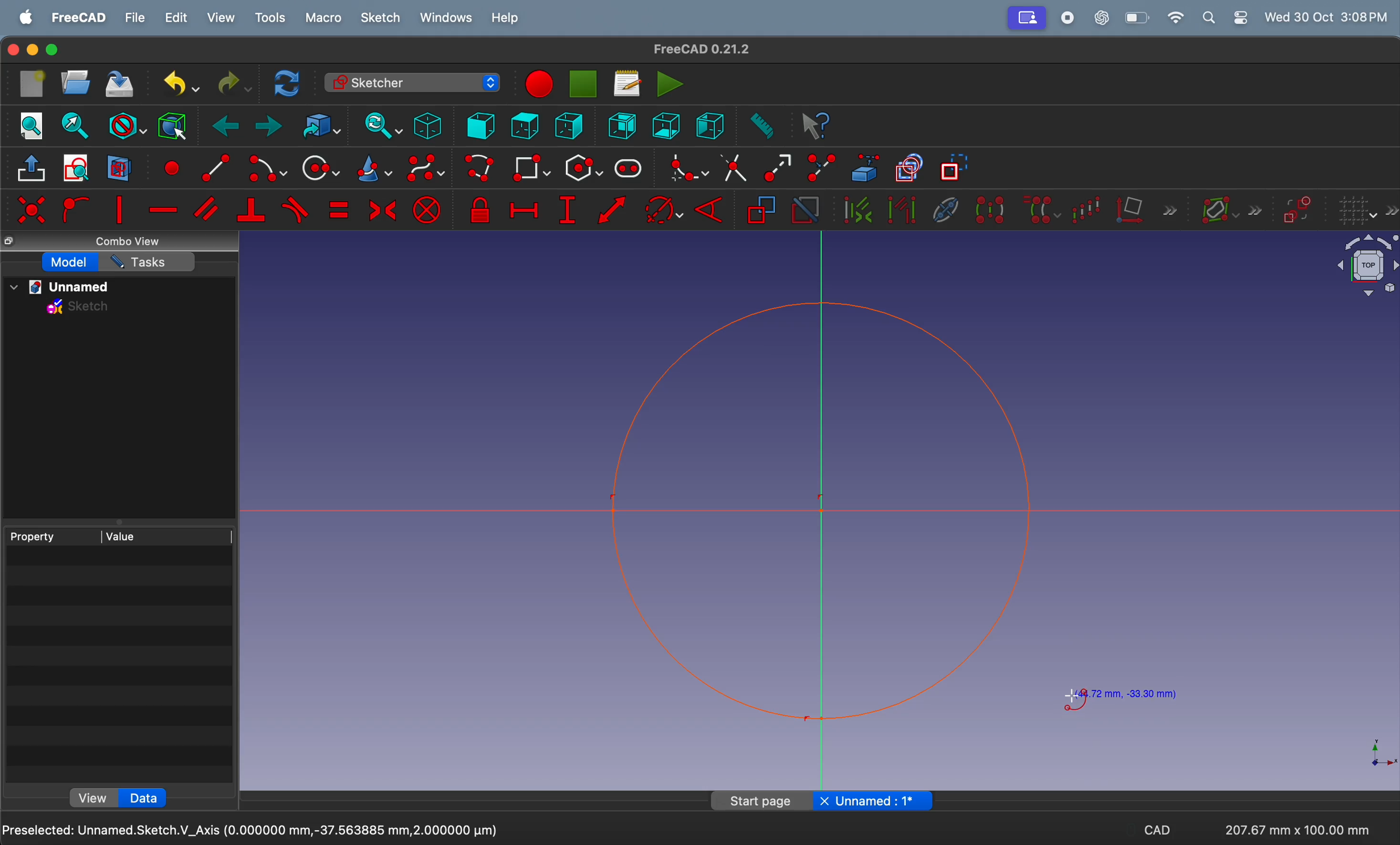 This screenshot has width=1400, height=845. Describe the element at coordinates (572, 127) in the screenshot. I see `left view` at that location.